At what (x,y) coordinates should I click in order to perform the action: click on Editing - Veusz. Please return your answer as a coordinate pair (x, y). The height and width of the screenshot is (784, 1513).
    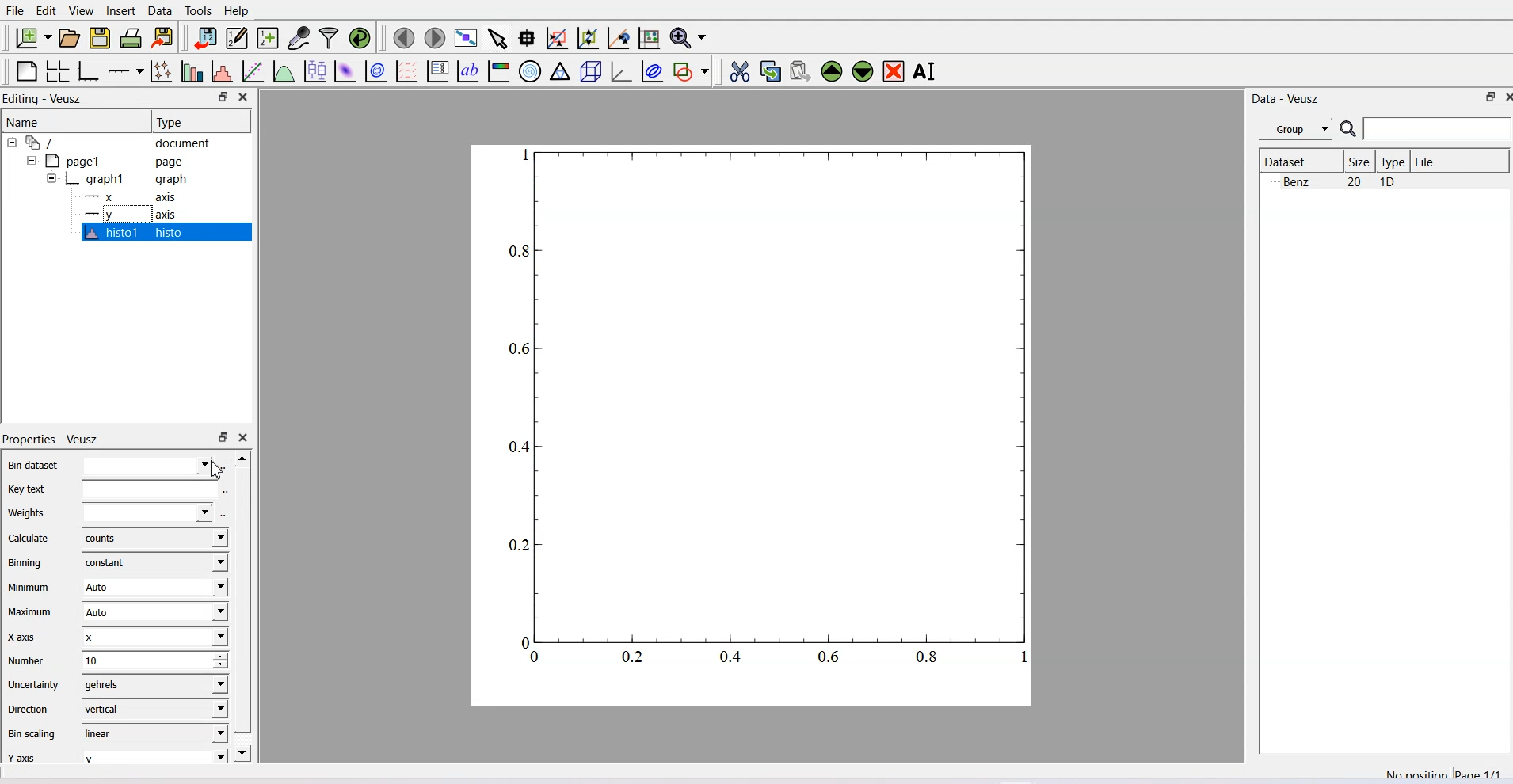
    Looking at the image, I should click on (44, 97).